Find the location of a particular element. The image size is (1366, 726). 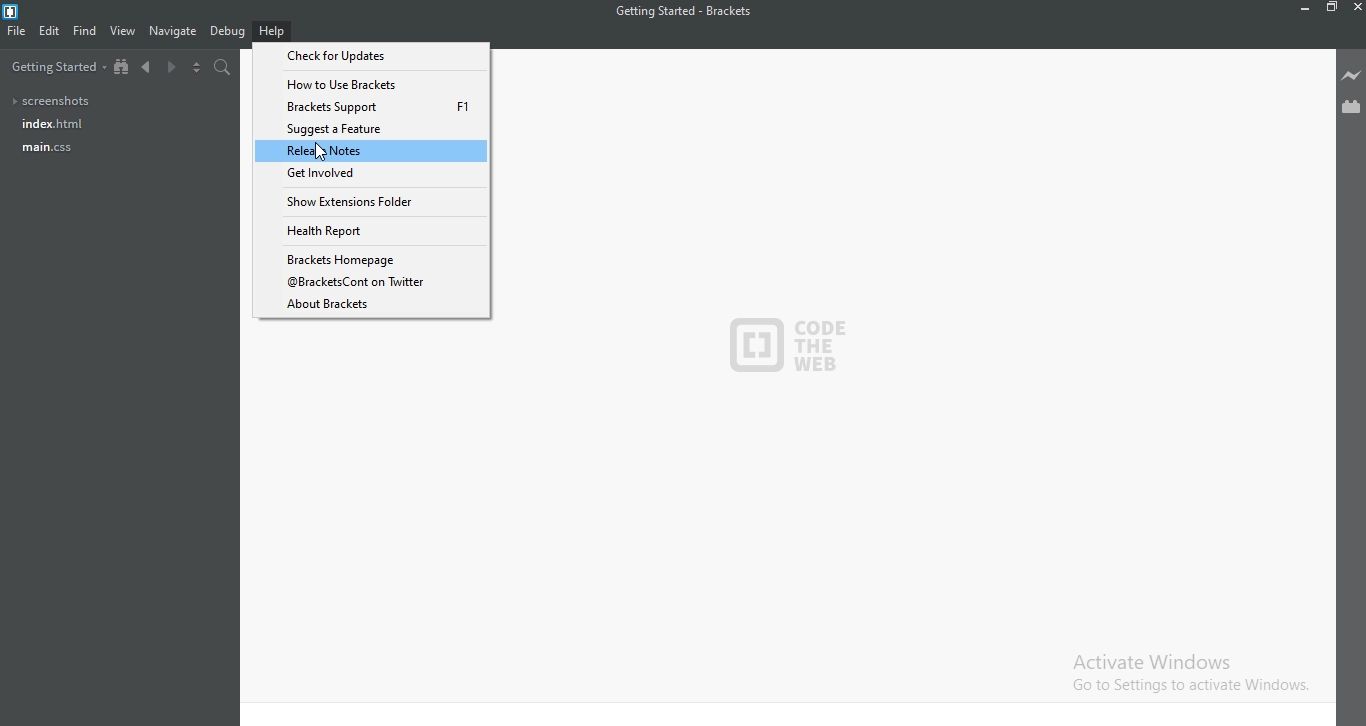

Health Report is located at coordinates (372, 232).